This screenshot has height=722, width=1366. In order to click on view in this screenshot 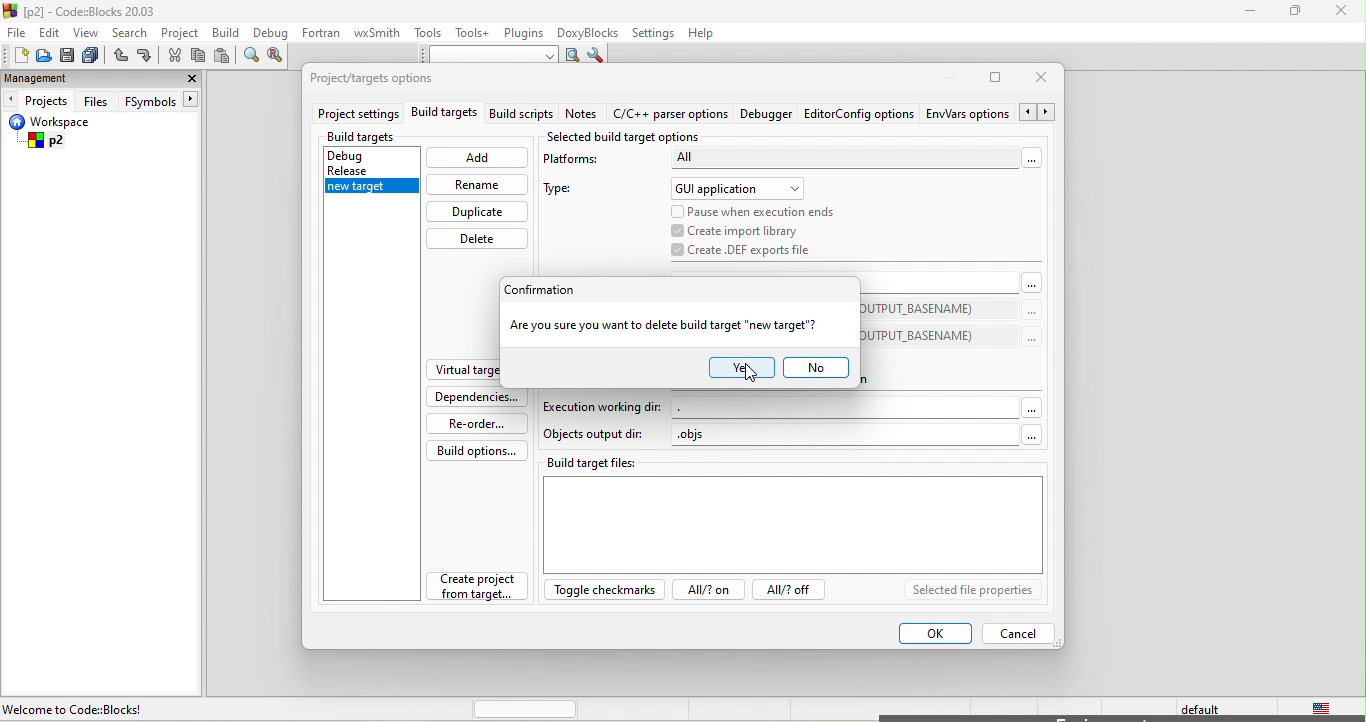, I will do `click(86, 33)`.